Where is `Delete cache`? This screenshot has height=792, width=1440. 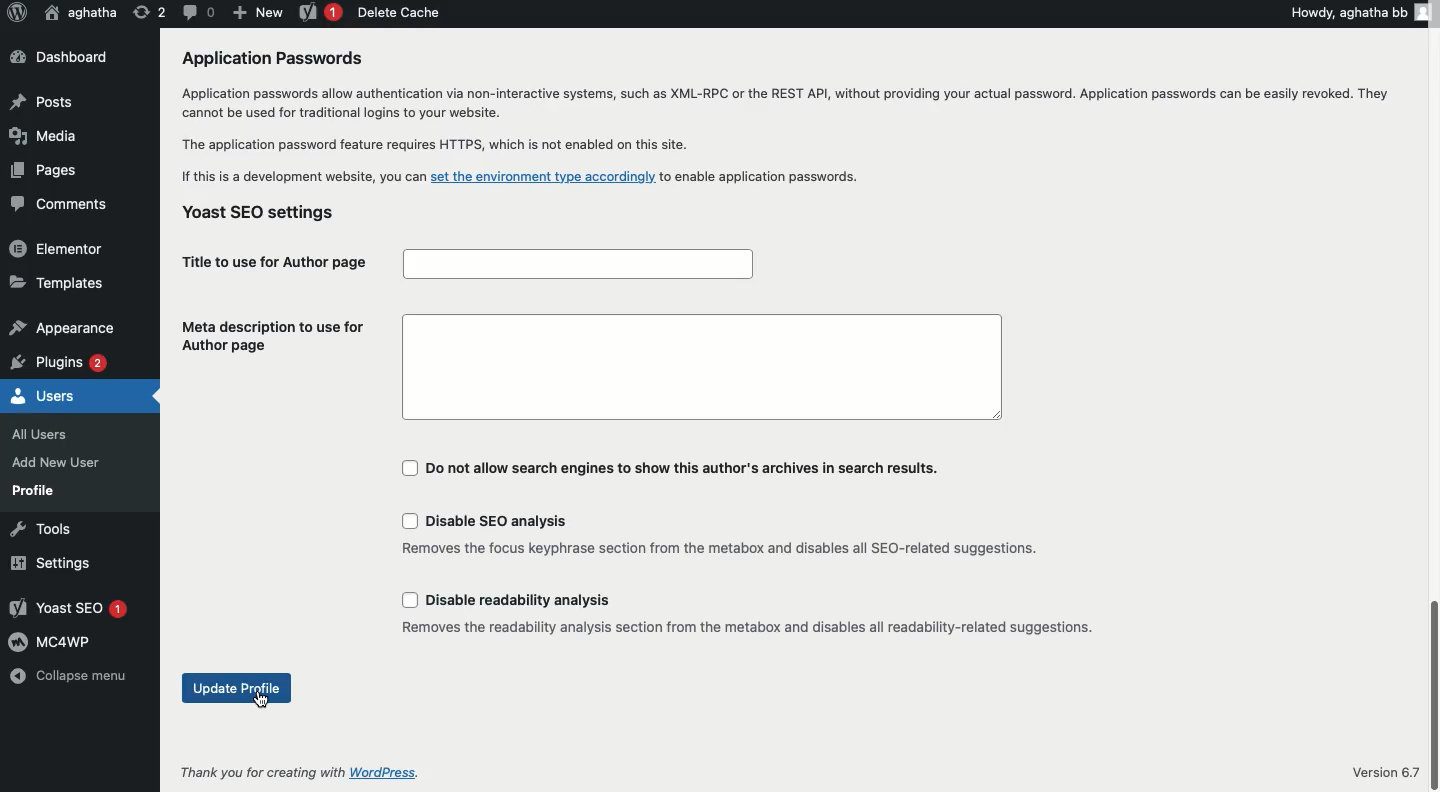
Delete cache is located at coordinates (398, 12).